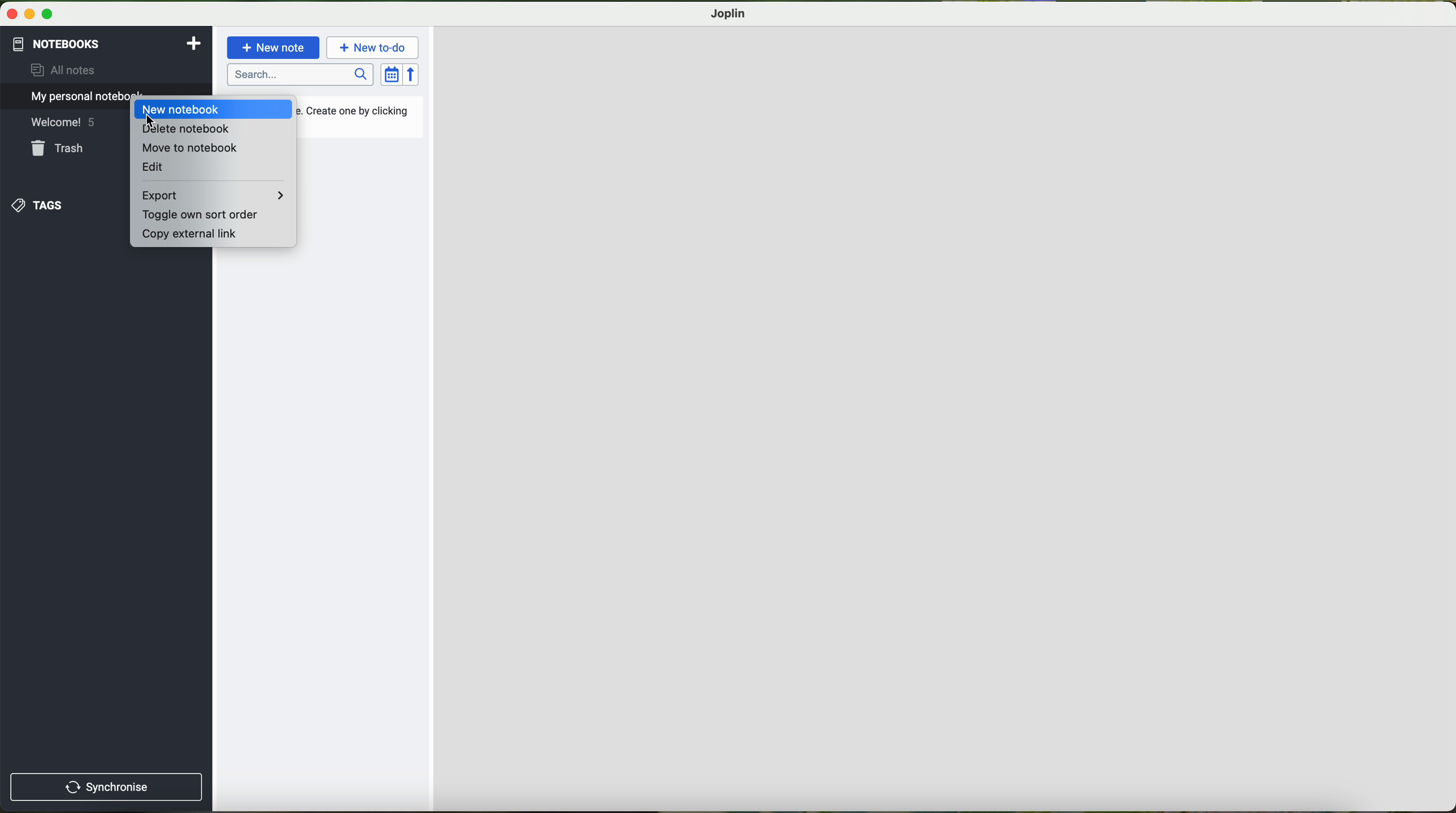  Describe the element at coordinates (301, 75) in the screenshot. I see `search bar` at that location.